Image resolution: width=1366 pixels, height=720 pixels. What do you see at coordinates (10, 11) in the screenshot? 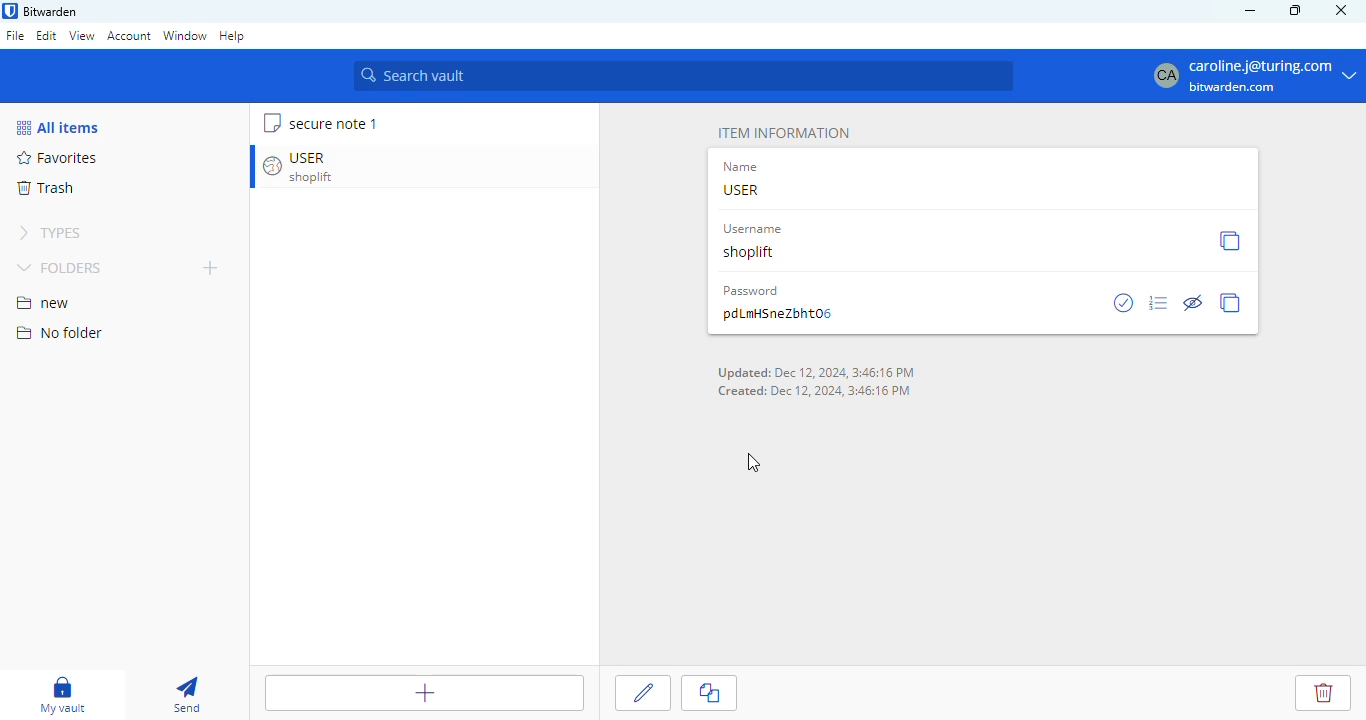
I see `logo` at bounding box center [10, 11].